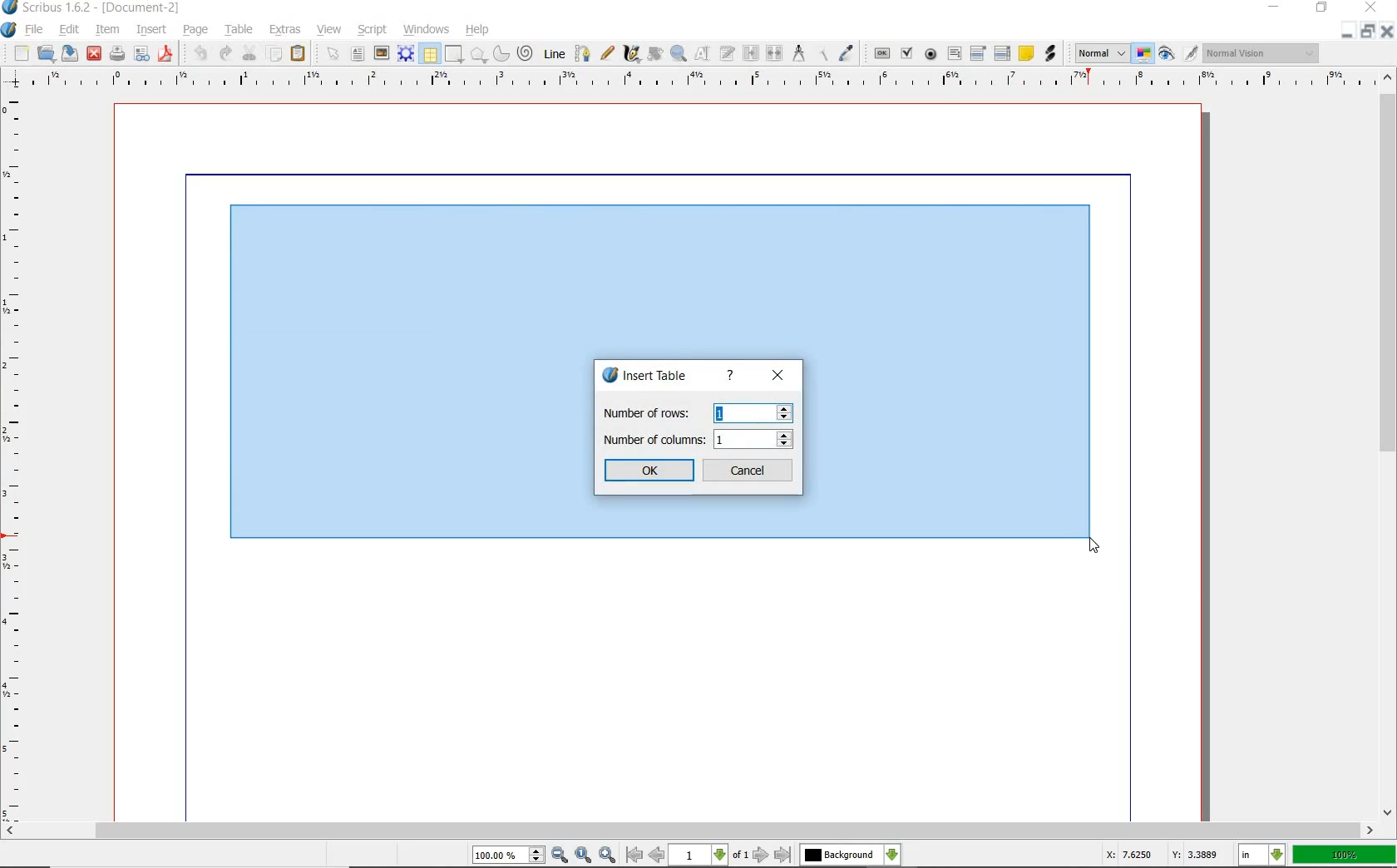 Image resolution: width=1397 pixels, height=868 pixels. What do you see at coordinates (905, 53) in the screenshot?
I see `pdf checkbox` at bounding box center [905, 53].